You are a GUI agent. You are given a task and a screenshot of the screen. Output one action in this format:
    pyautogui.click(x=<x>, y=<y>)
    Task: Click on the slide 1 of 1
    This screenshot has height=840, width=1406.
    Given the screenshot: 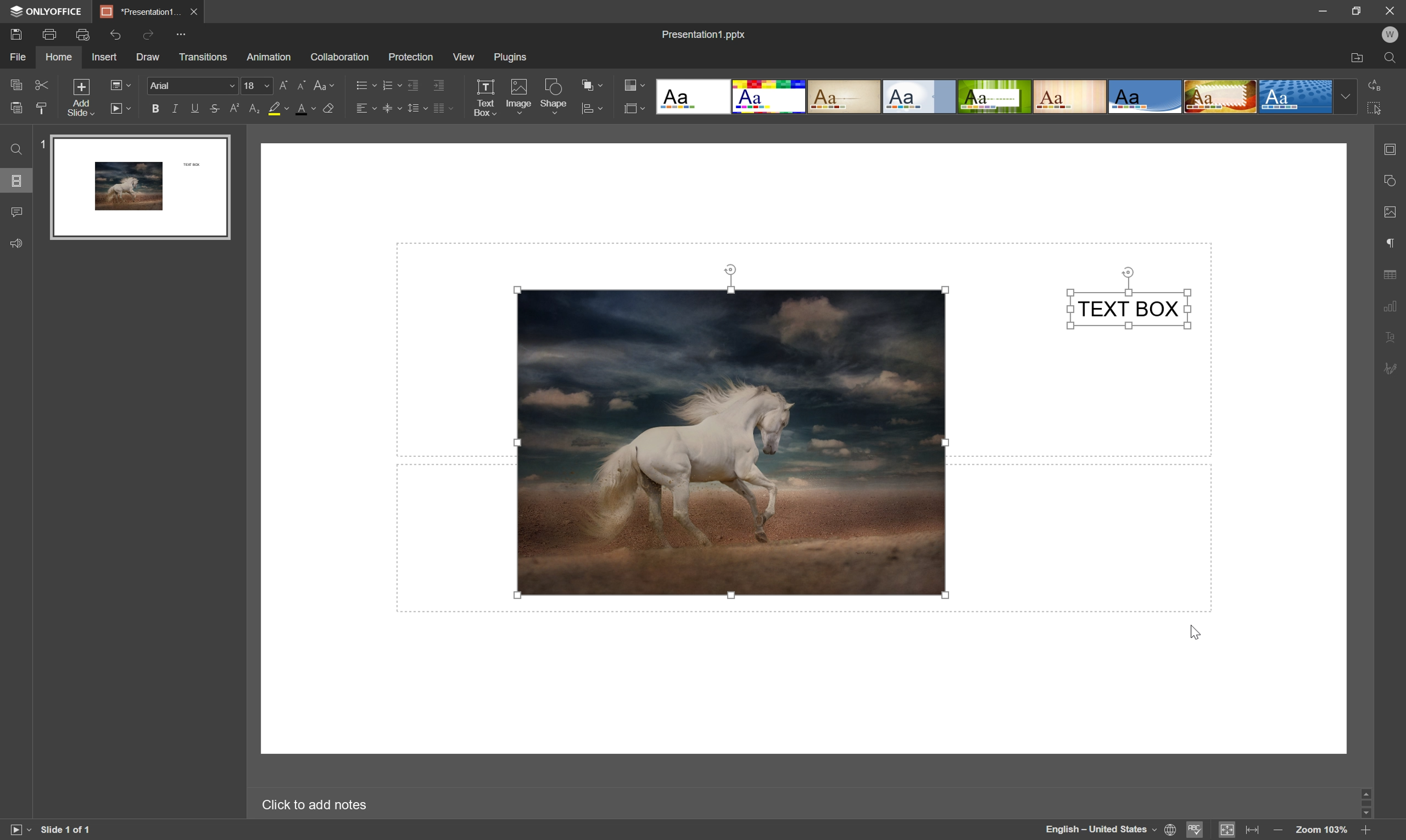 What is the action you would take?
    pyautogui.click(x=67, y=830)
    